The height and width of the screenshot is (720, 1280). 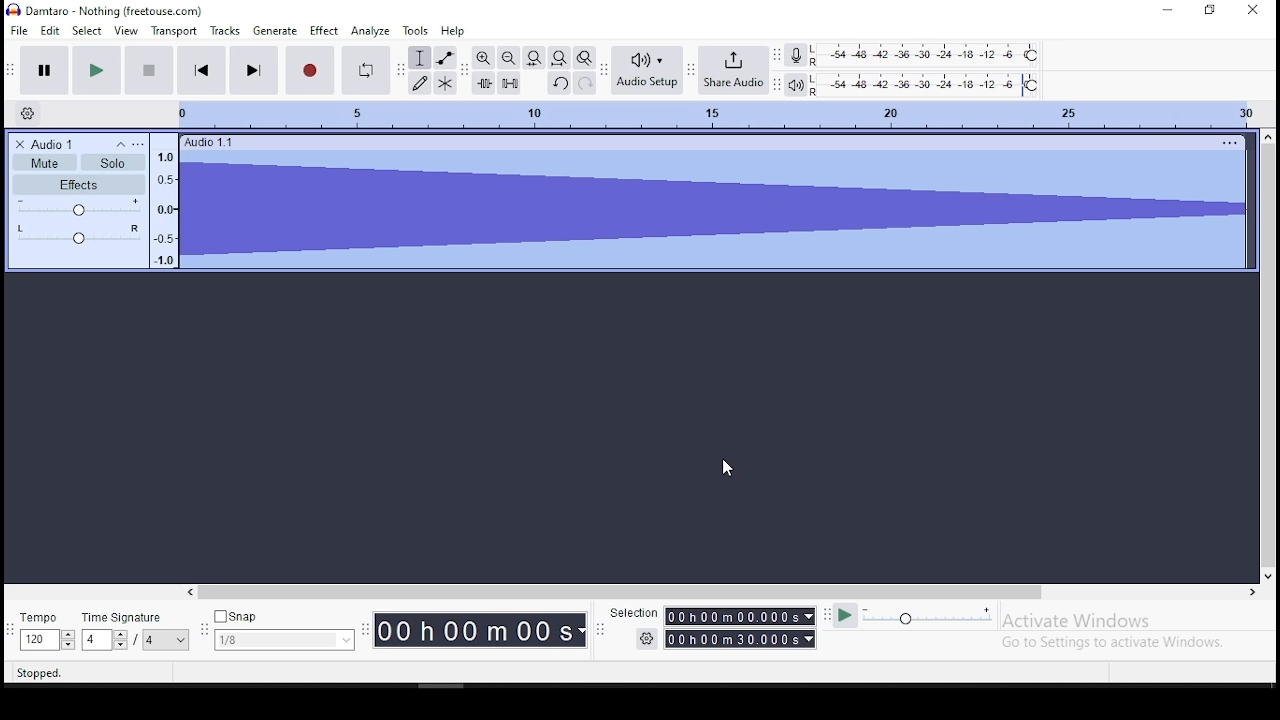 What do you see at coordinates (113, 162) in the screenshot?
I see `solo` at bounding box center [113, 162].